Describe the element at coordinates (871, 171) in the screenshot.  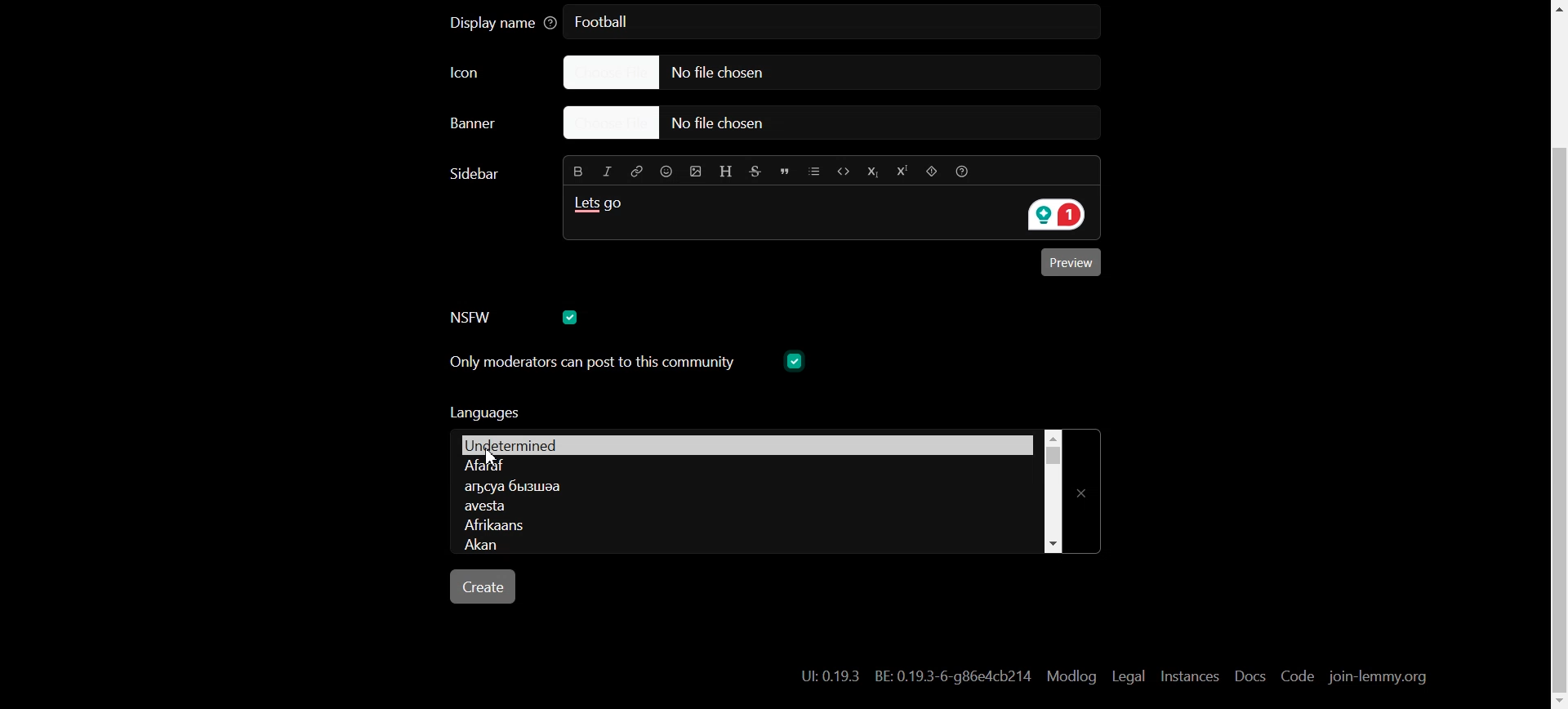
I see `Subscript` at that location.